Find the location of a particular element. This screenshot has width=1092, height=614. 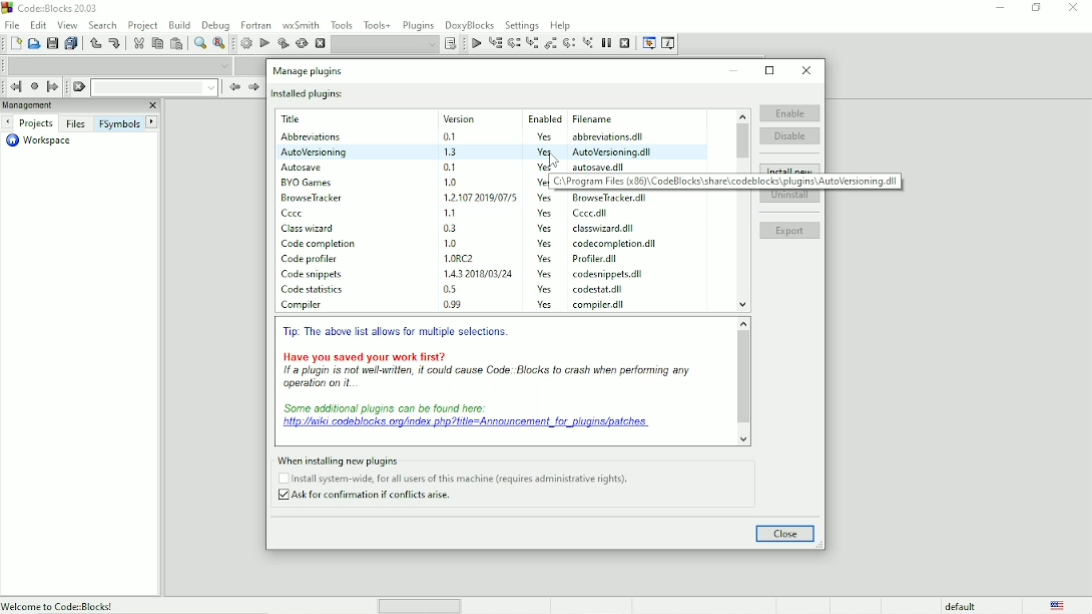

Yes is located at coordinates (545, 259).